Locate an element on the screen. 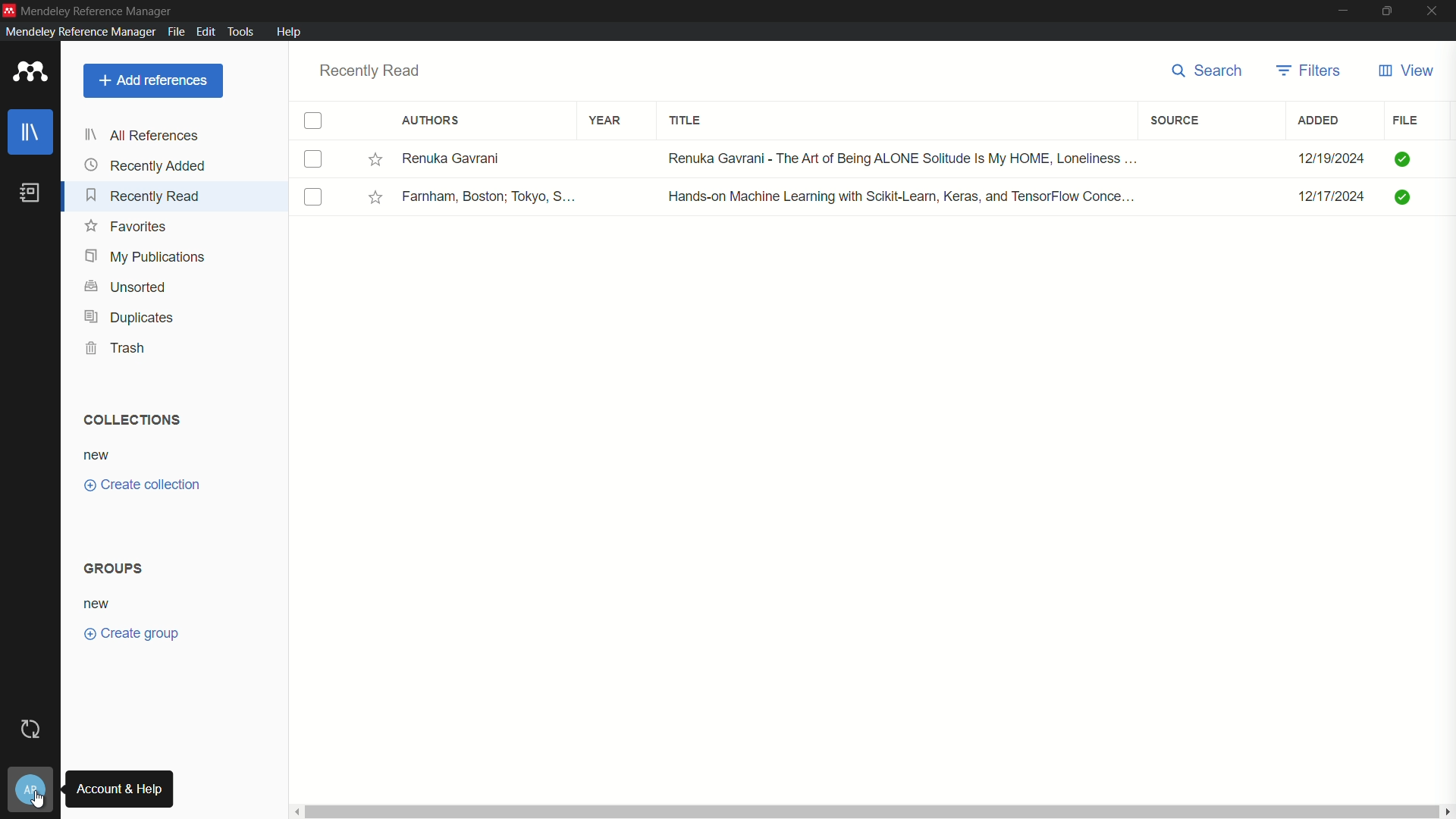 Image resolution: width=1456 pixels, height=819 pixels. close app is located at coordinates (1436, 11).